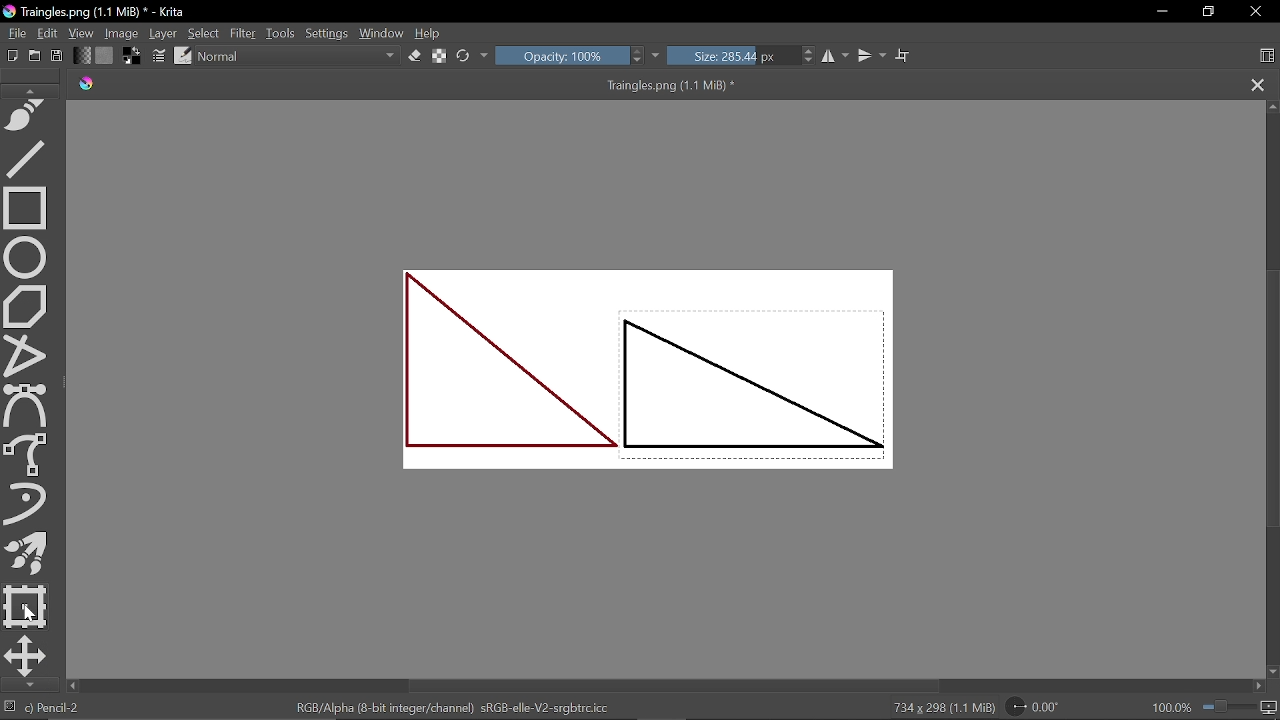 The image size is (1280, 720). I want to click on No selection, so click(8, 707).